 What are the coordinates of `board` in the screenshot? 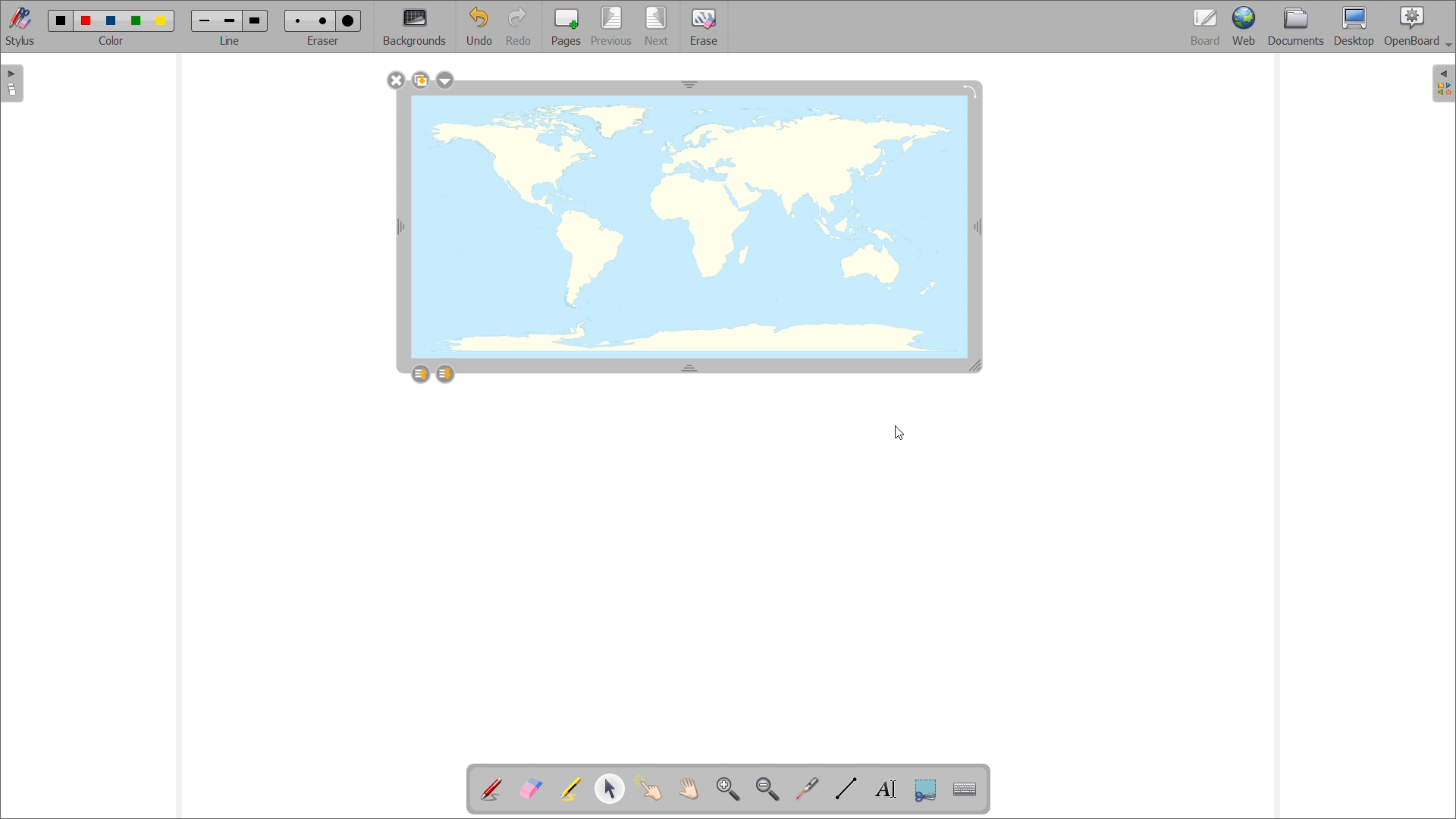 It's located at (1205, 27).